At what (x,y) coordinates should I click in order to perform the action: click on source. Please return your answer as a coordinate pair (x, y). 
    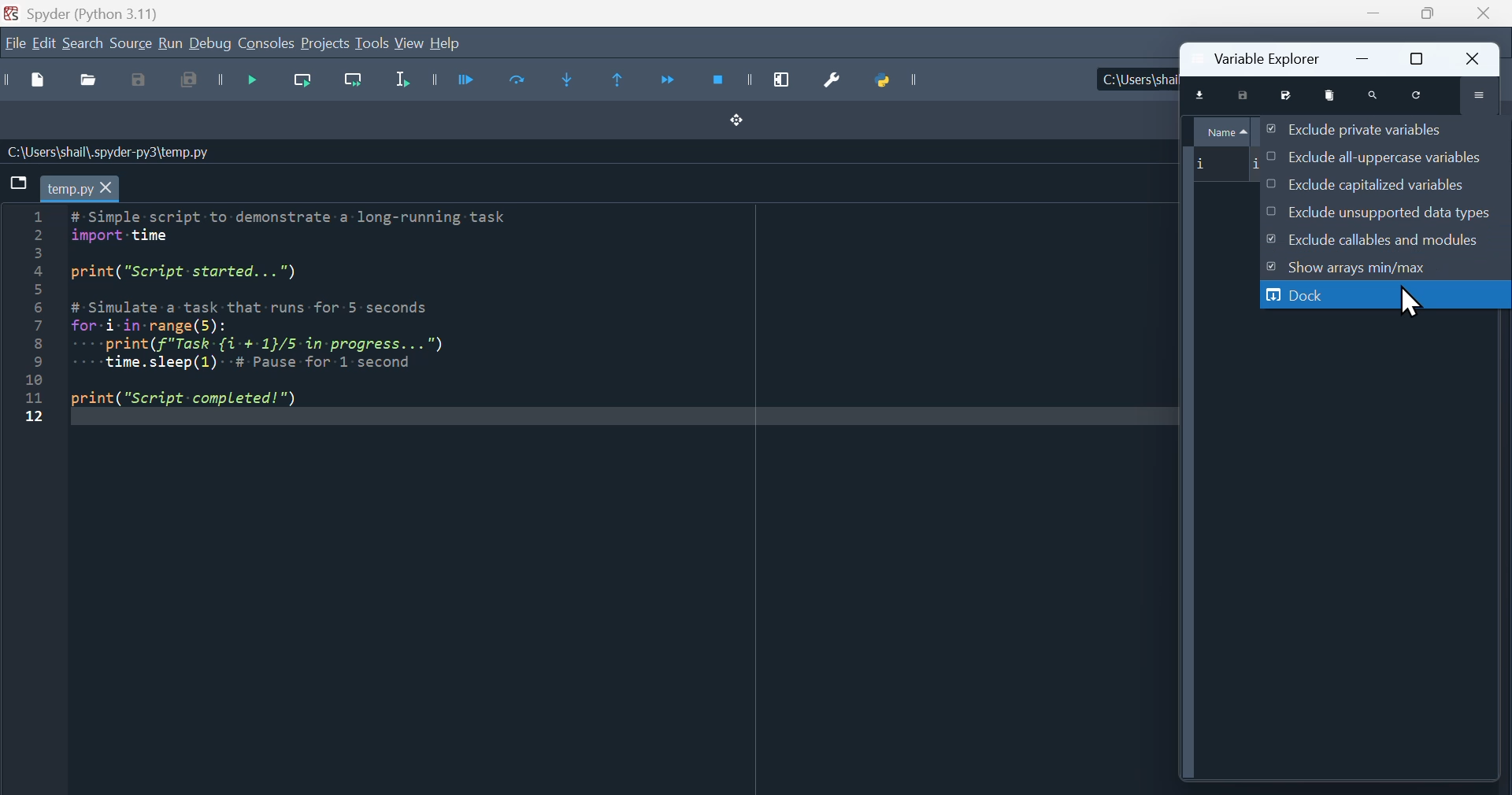
    Looking at the image, I should click on (131, 45).